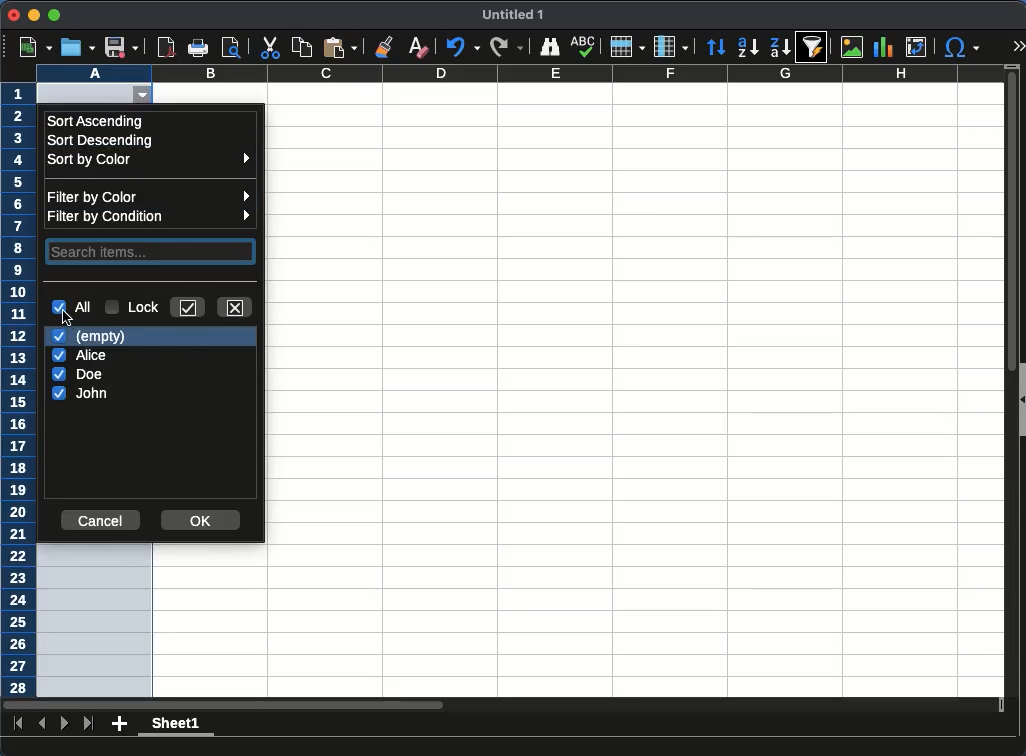  Describe the element at coordinates (585, 46) in the screenshot. I see `spell check` at that location.